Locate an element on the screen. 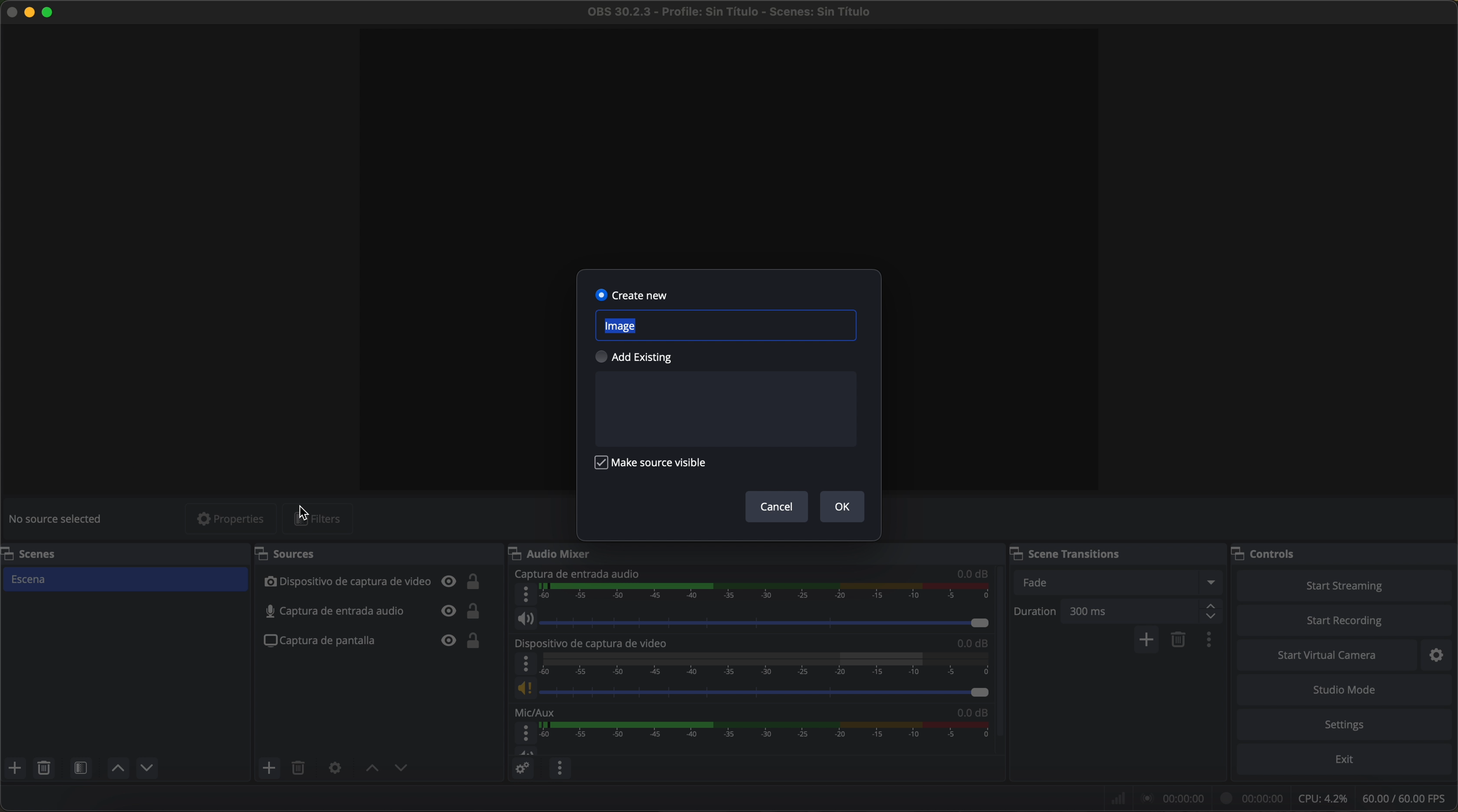 The image size is (1458, 812). audio mixer menu is located at coordinates (559, 768).